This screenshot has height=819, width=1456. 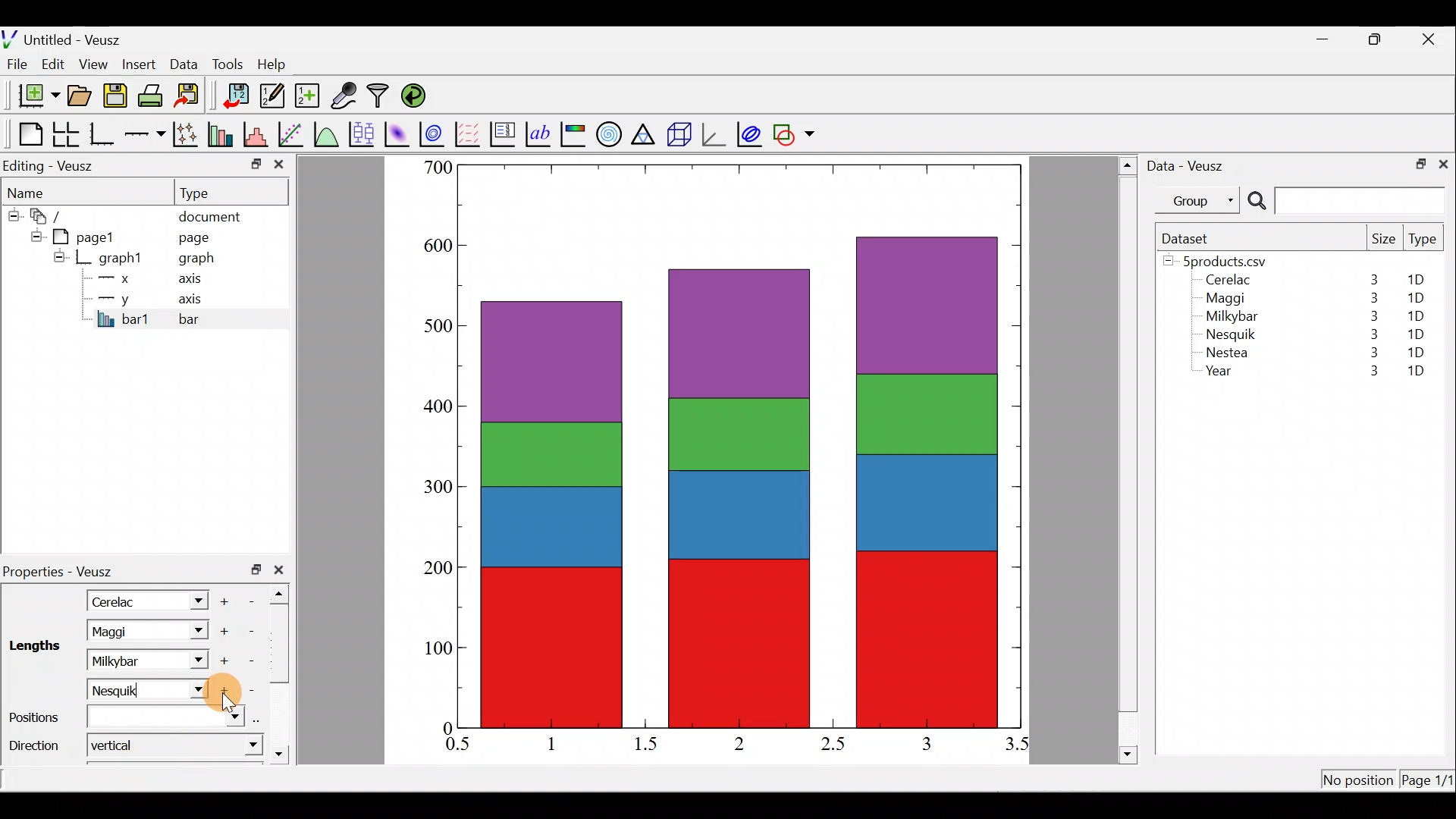 What do you see at coordinates (141, 64) in the screenshot?
I see `Insert` at bounding box center [141, 64].